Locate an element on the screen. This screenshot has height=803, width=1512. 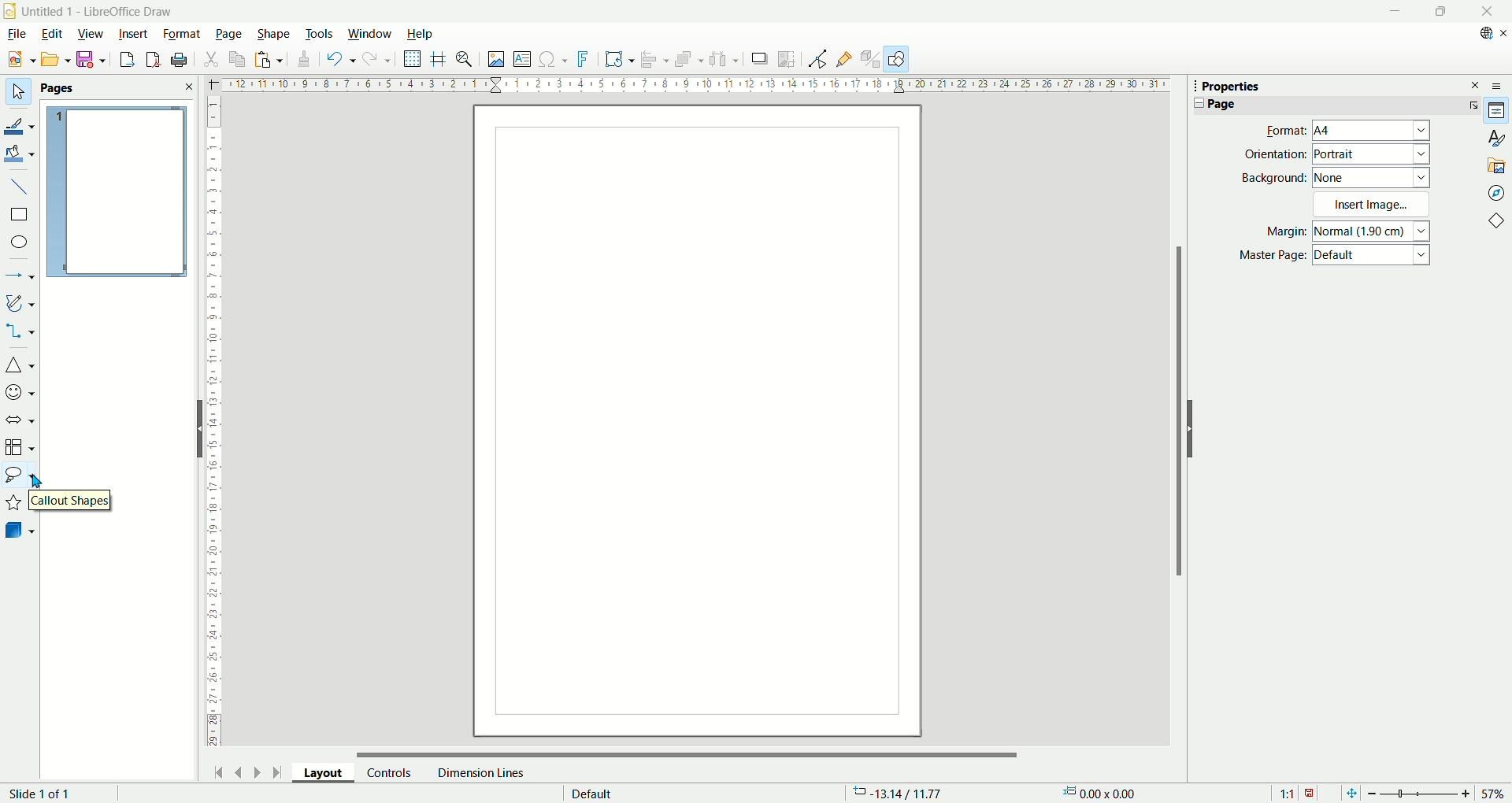
page is located at coordinates (229, 35).